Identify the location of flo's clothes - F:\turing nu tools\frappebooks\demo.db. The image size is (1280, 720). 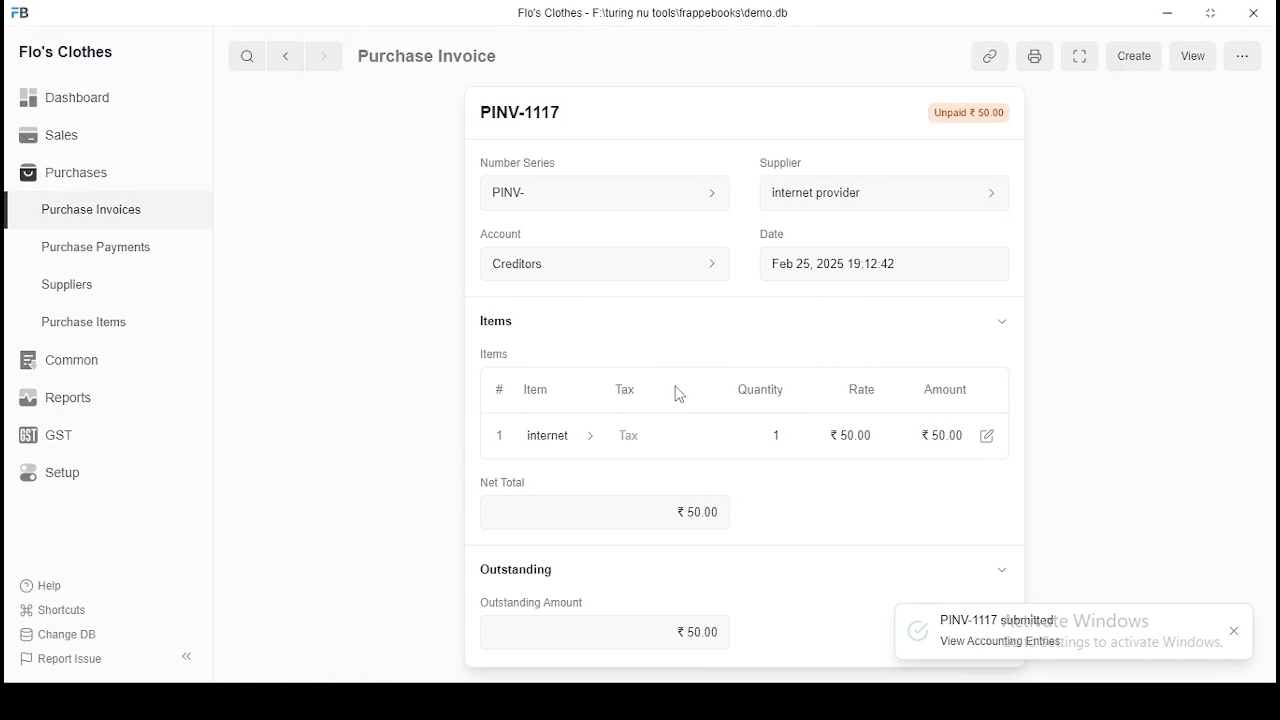
(654, 13).